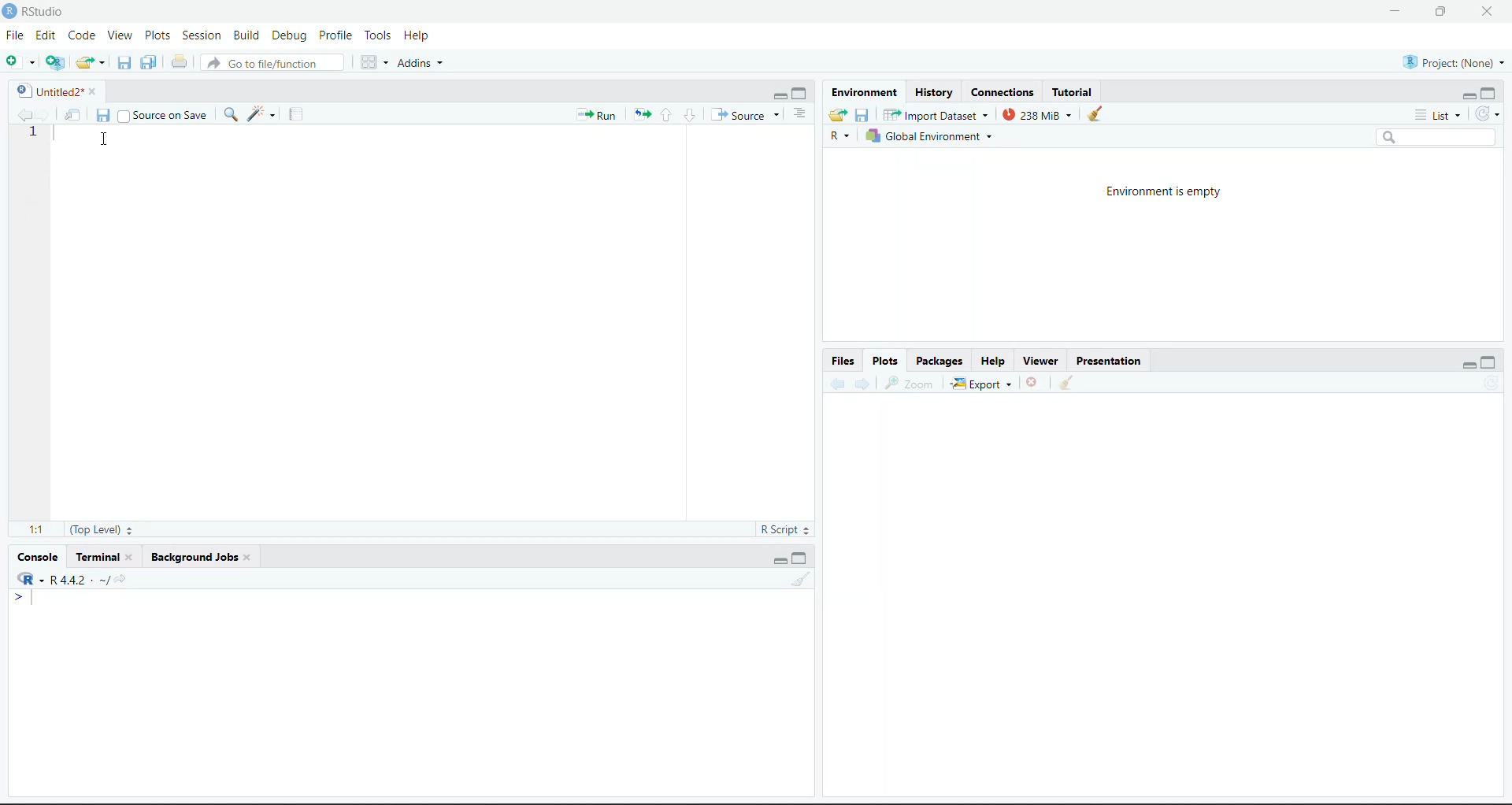 The height and width of the screenshot is (805, 1512). I want to click on Help, so click(417, 35).